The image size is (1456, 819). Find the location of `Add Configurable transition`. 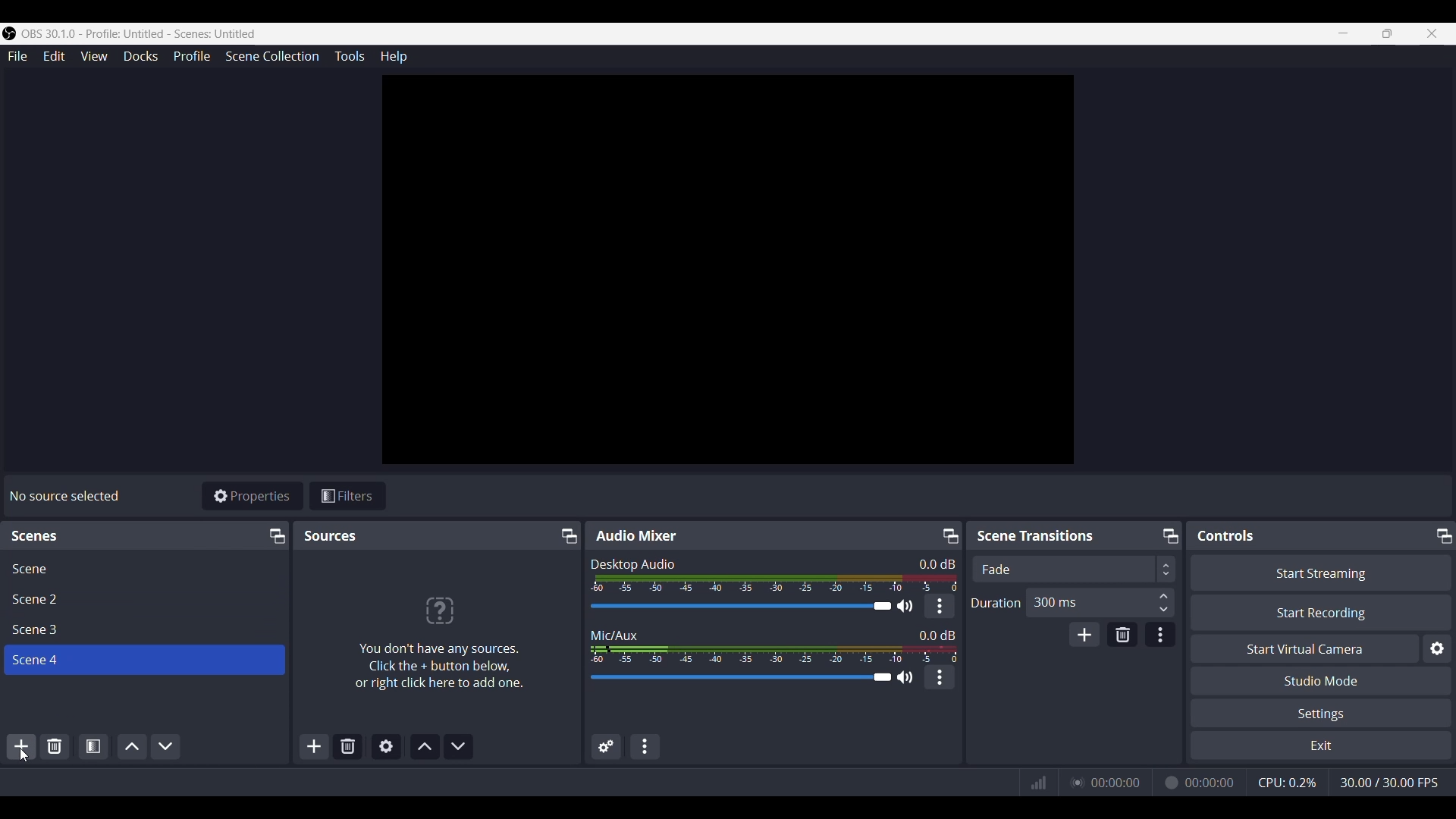

Add Configurable transition is located at coordinates (1084, 634).